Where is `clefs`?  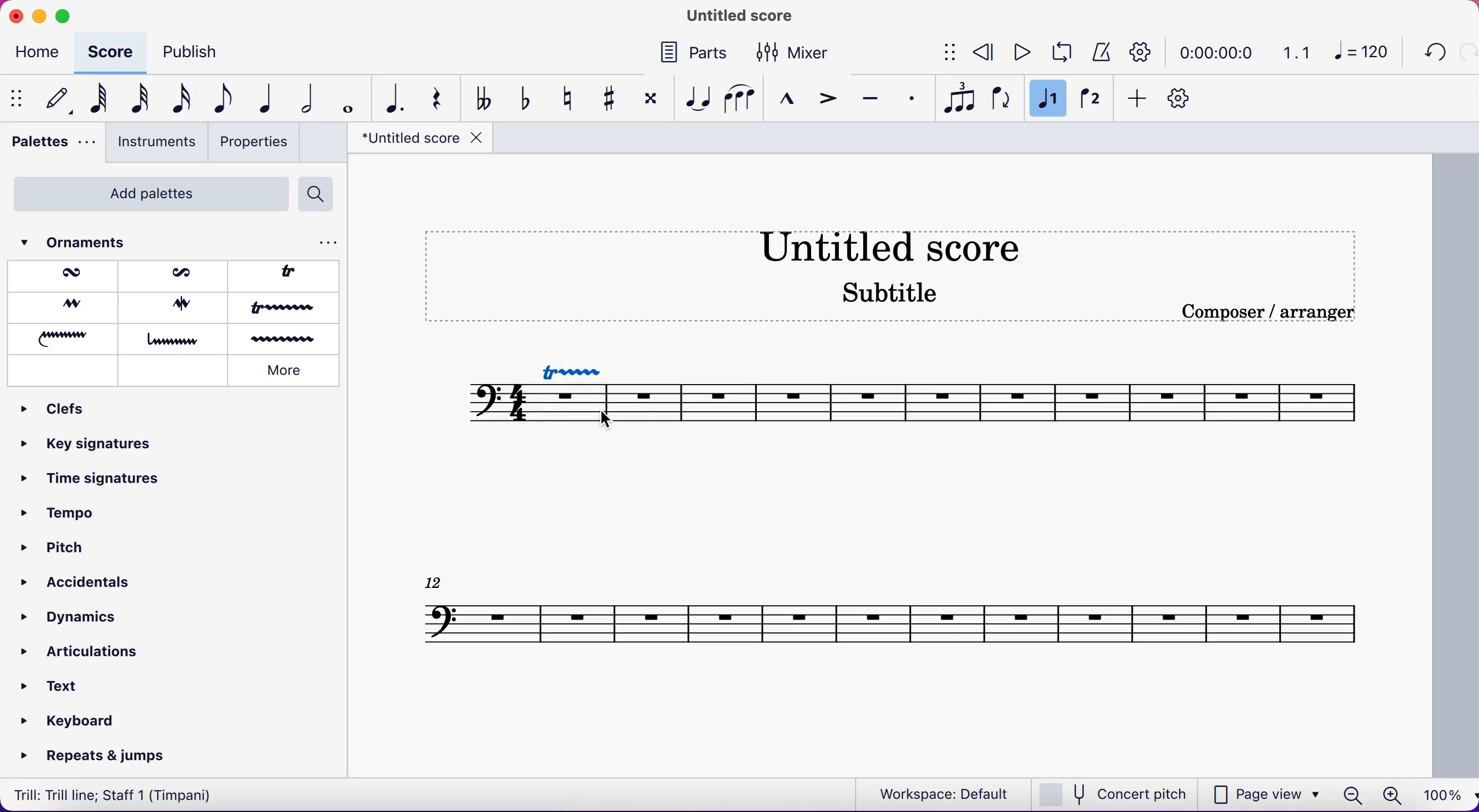
clefs is located at coordinates (66, 410).